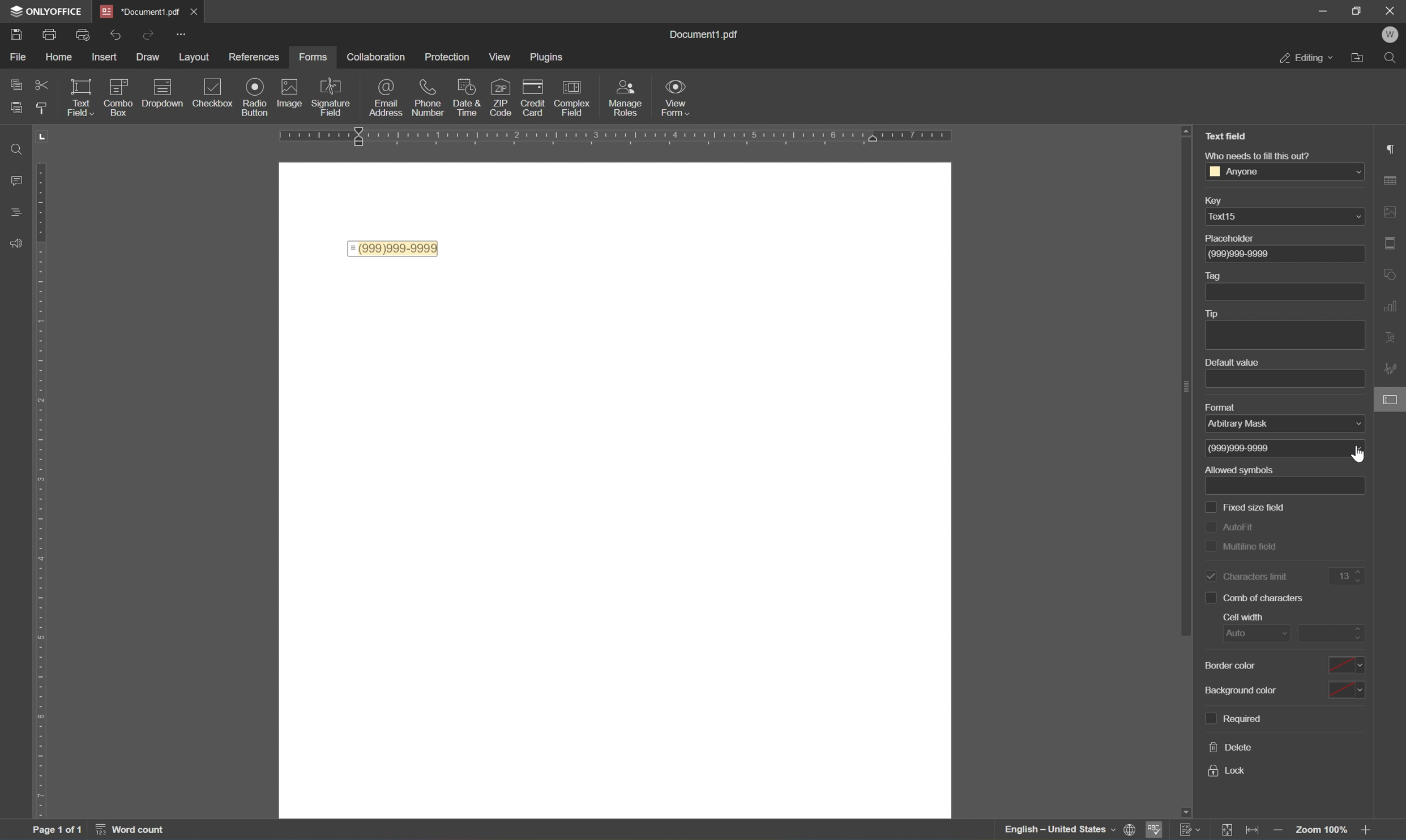 The width and height of the screenshot is (1406, 840). What do you see at coordinates (1247, 635) in the screenshot?
I see `auto` at bounding box center [1247, 635].